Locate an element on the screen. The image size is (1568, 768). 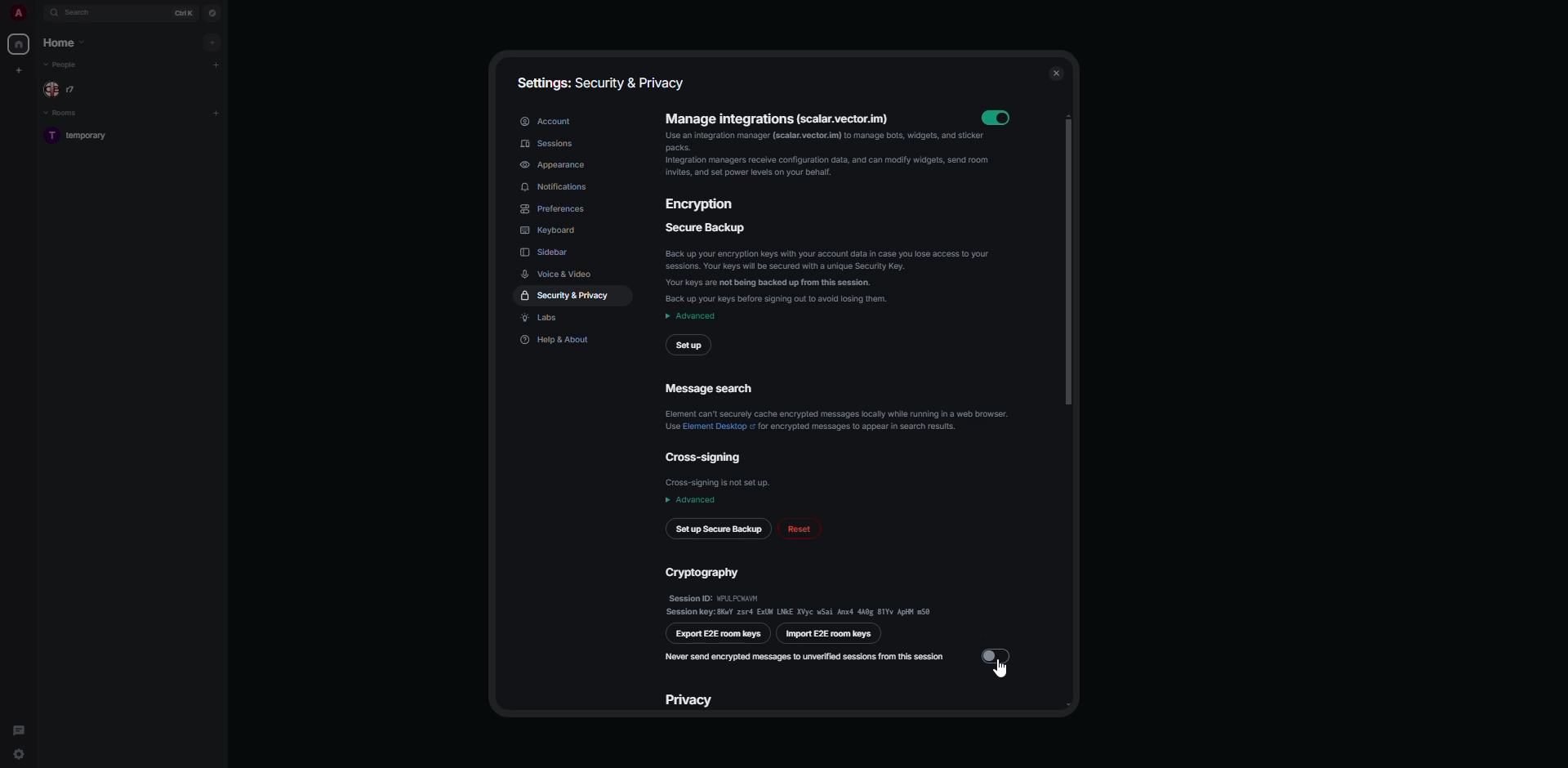
secure backup back up your encryption keys with your account data in case you lose access to your sessions. your keys will be secured with a unique security key. your keys are not being backed up from this session back up your keys before signing out to avoid losing them. is located at coordinates (831, 264).